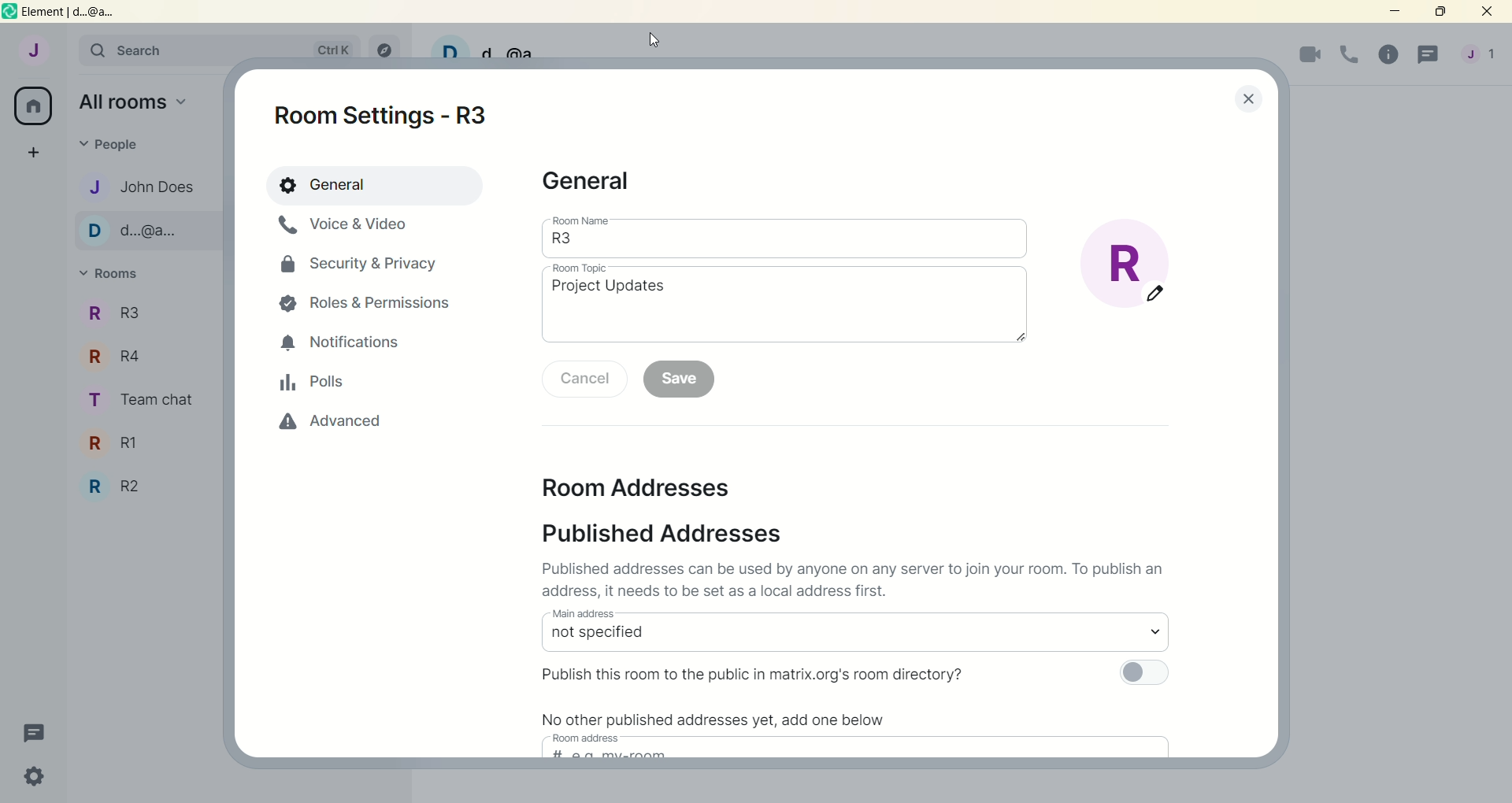 The width and height of the screenshot is (1512, 803). What do you see at coordinates (74, 13) in the screenshot?
I see `element` at bounding box center [74, 13].